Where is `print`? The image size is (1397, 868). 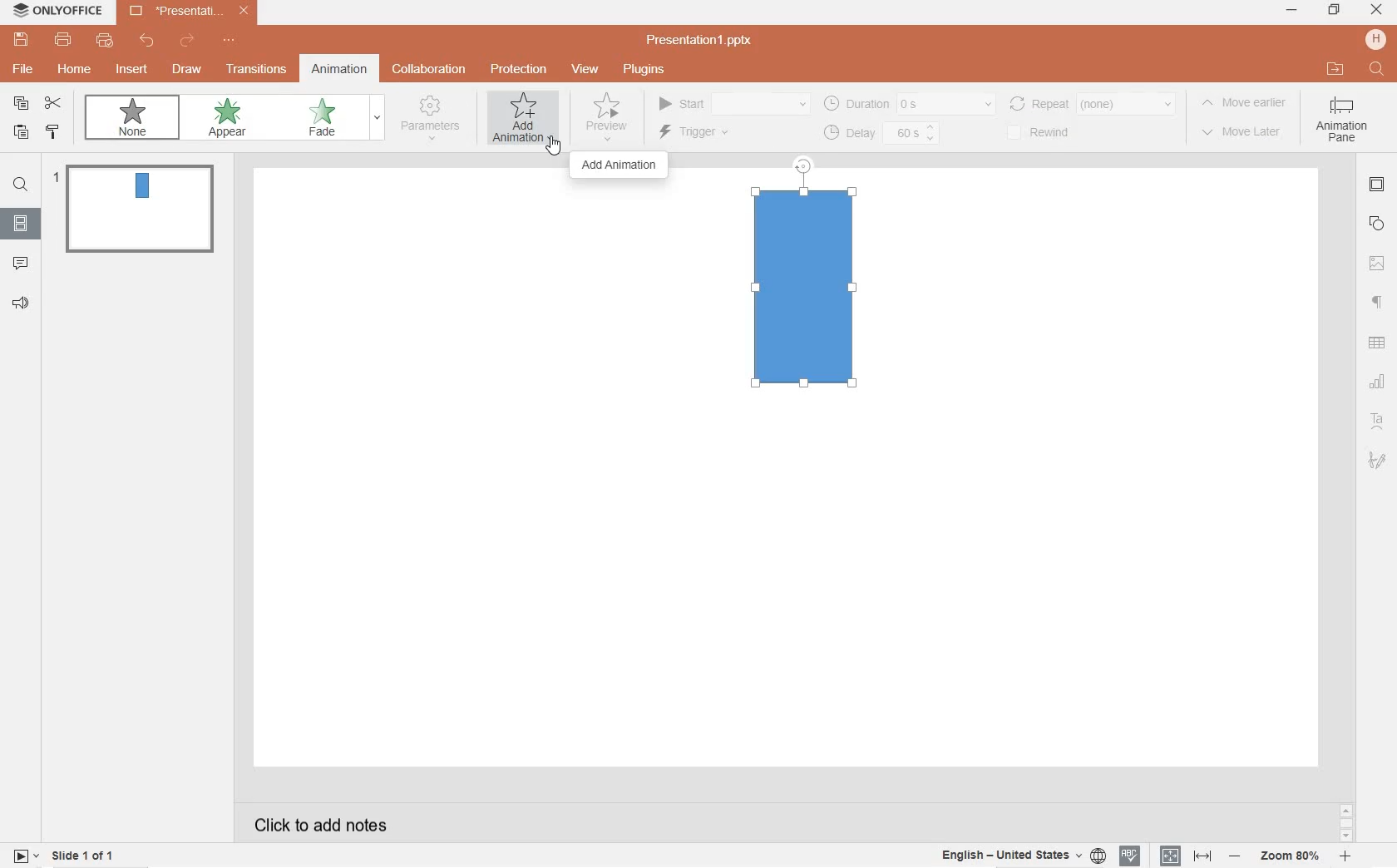
print is located at coordinates (64, 40).